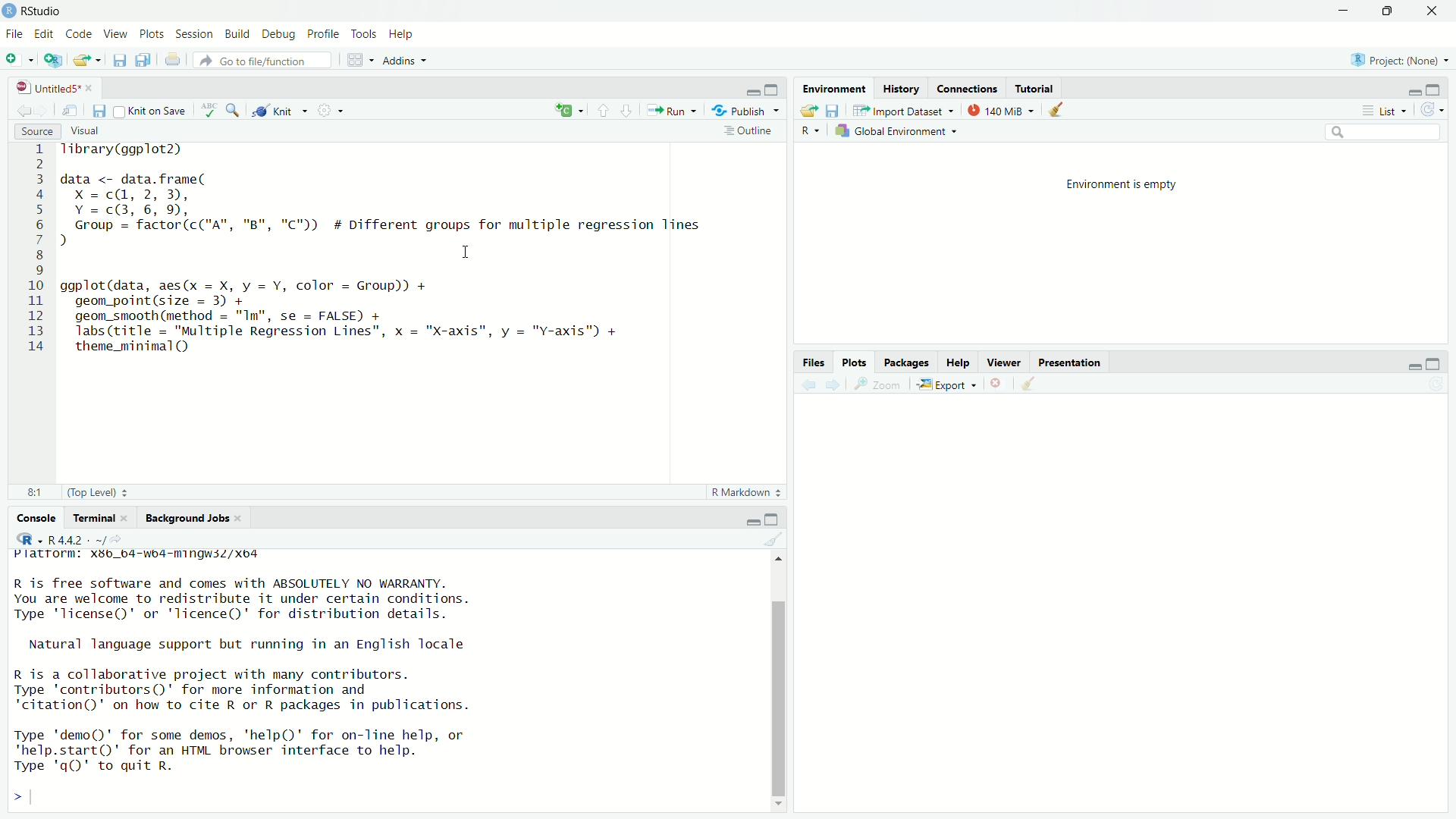  I want to click on List, so click(1382, 109).